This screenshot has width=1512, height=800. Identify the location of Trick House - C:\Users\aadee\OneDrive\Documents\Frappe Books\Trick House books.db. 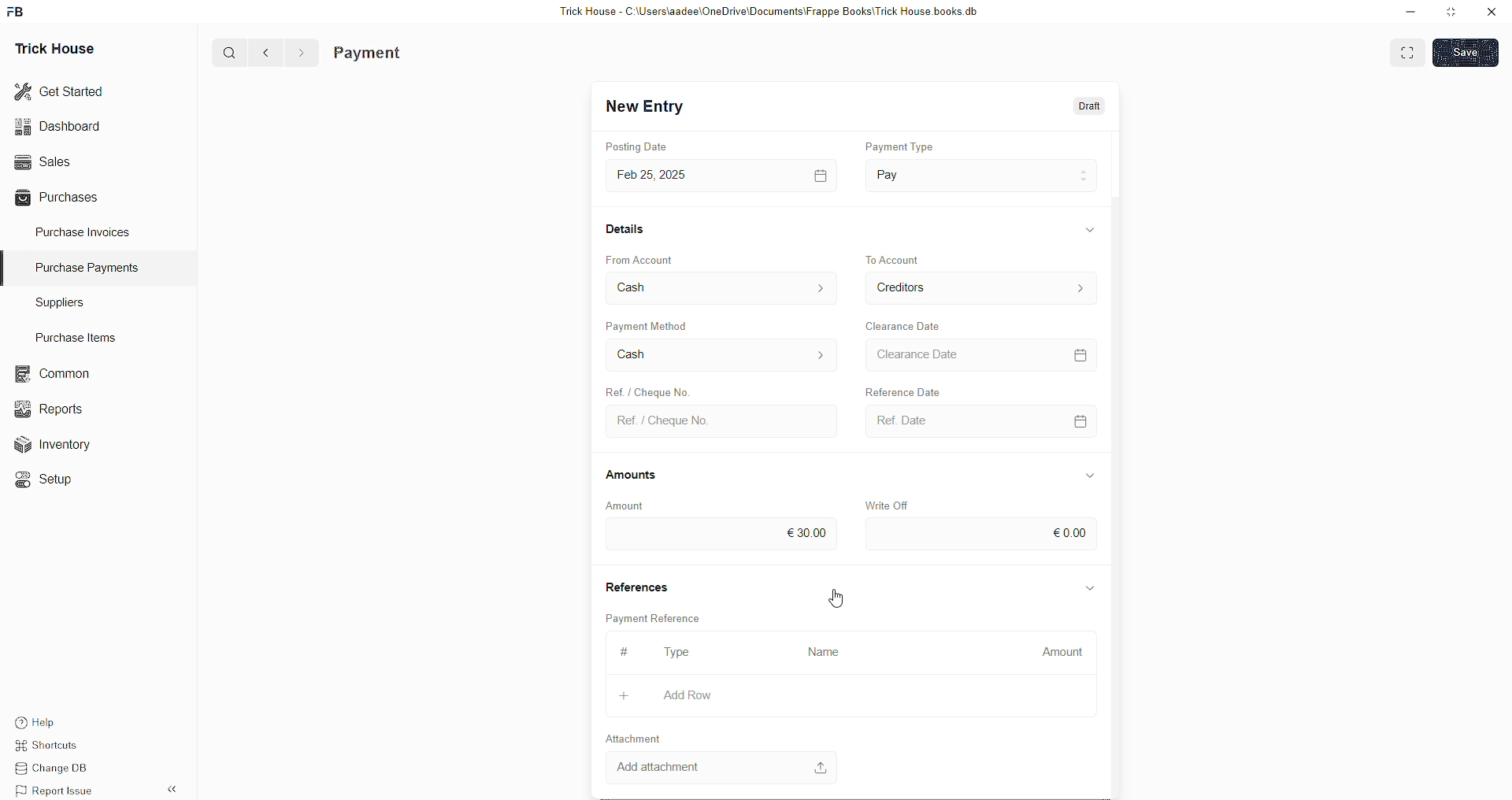
(772, 12).